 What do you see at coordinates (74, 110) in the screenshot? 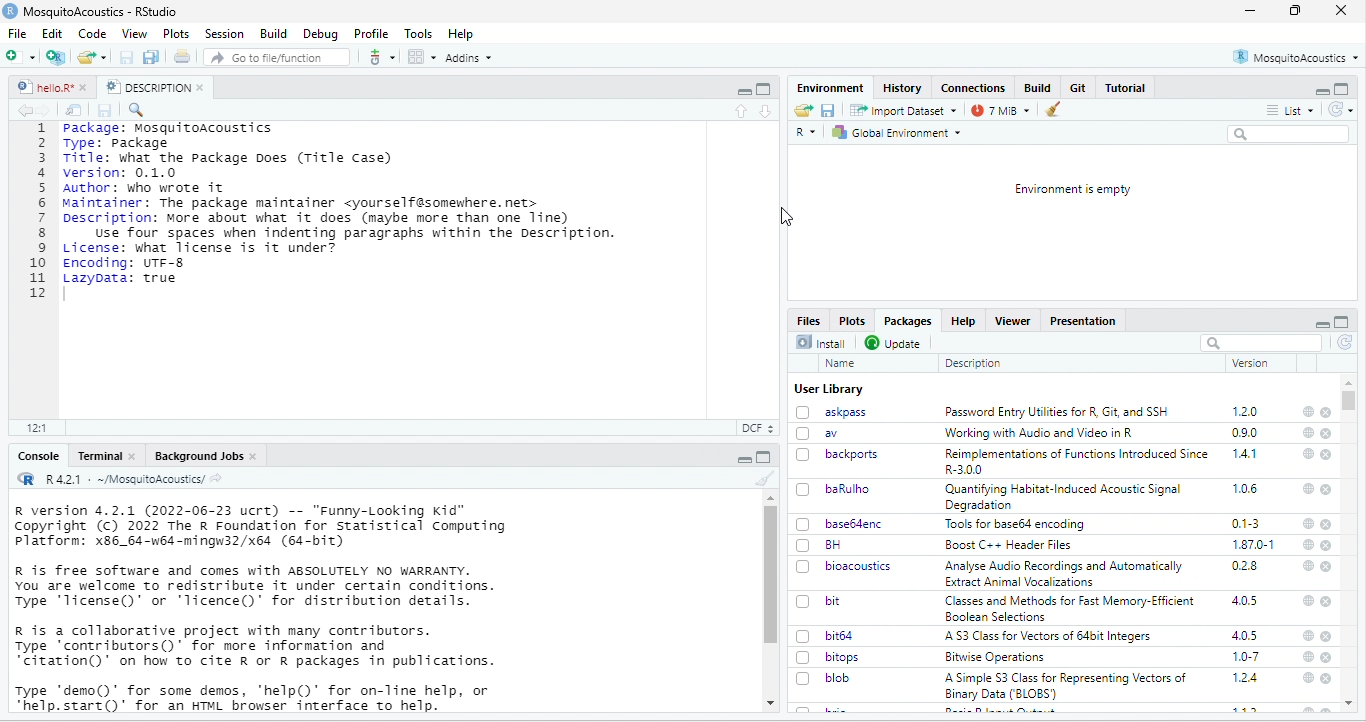
I see `Show in new window` at bounding box center [74, 110].